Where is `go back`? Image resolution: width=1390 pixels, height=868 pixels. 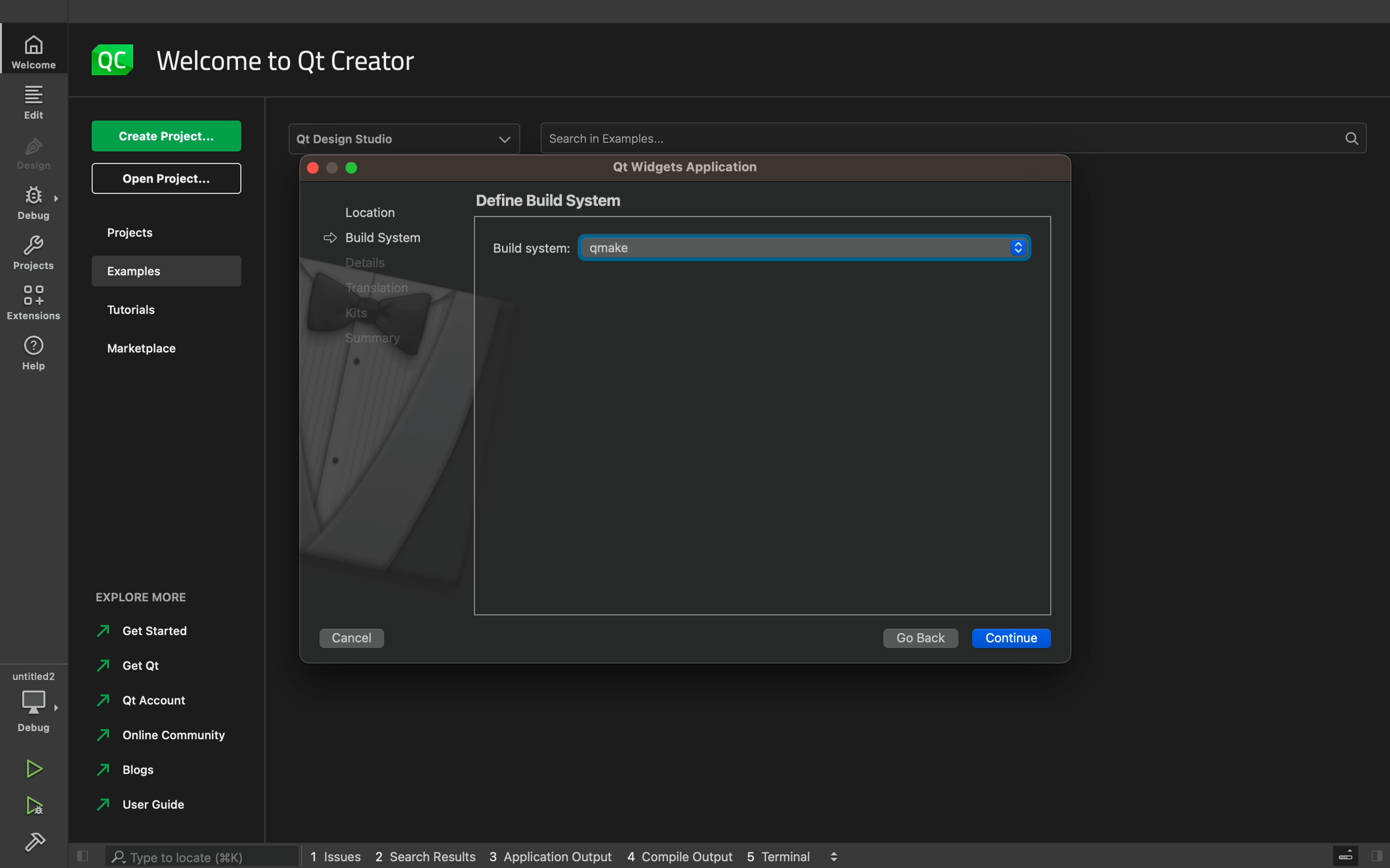 go back is located at coordinates (920, 638).